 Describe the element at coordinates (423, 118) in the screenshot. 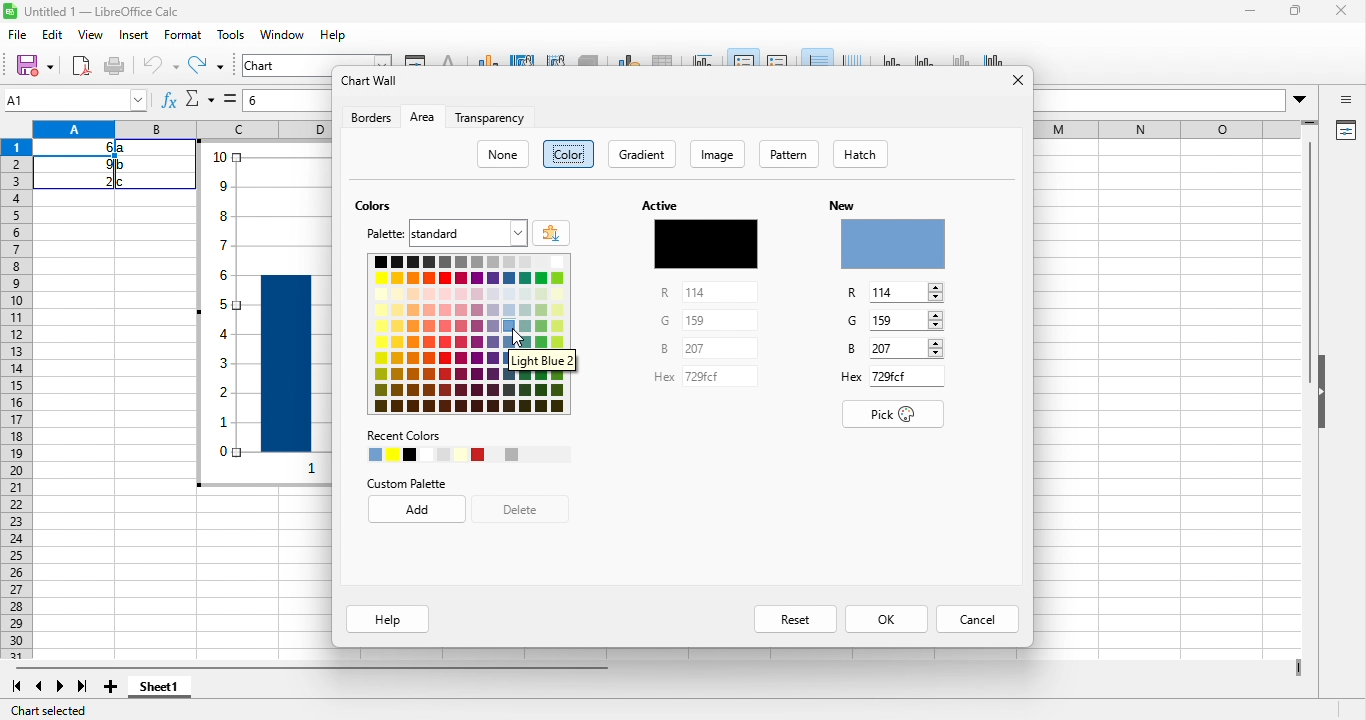

I see `area` at that location.